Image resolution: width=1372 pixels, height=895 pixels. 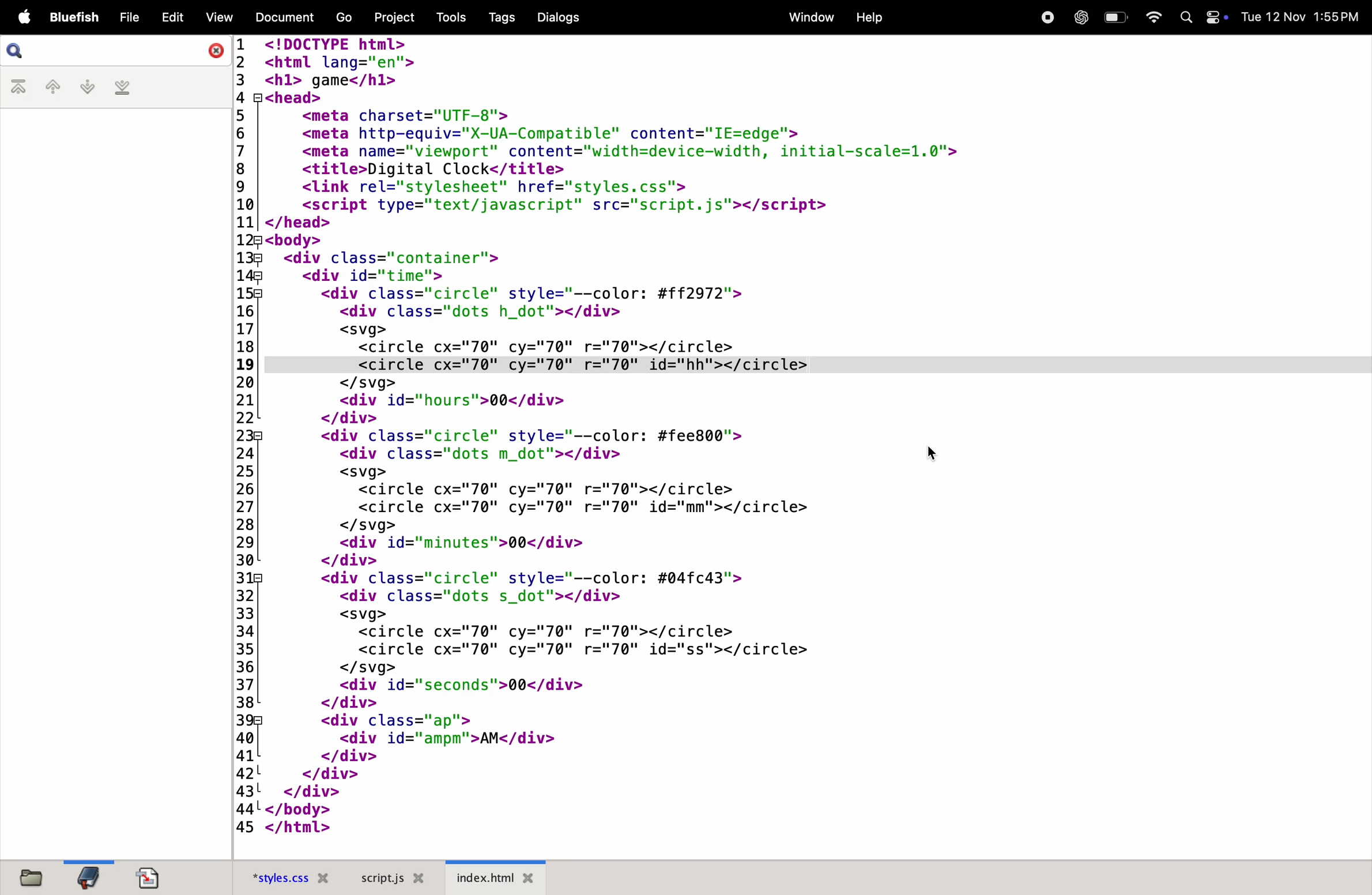 What do you see at coordinates (807, 17) in the screenshot?
I see `window` at bounding box center [807, 17].